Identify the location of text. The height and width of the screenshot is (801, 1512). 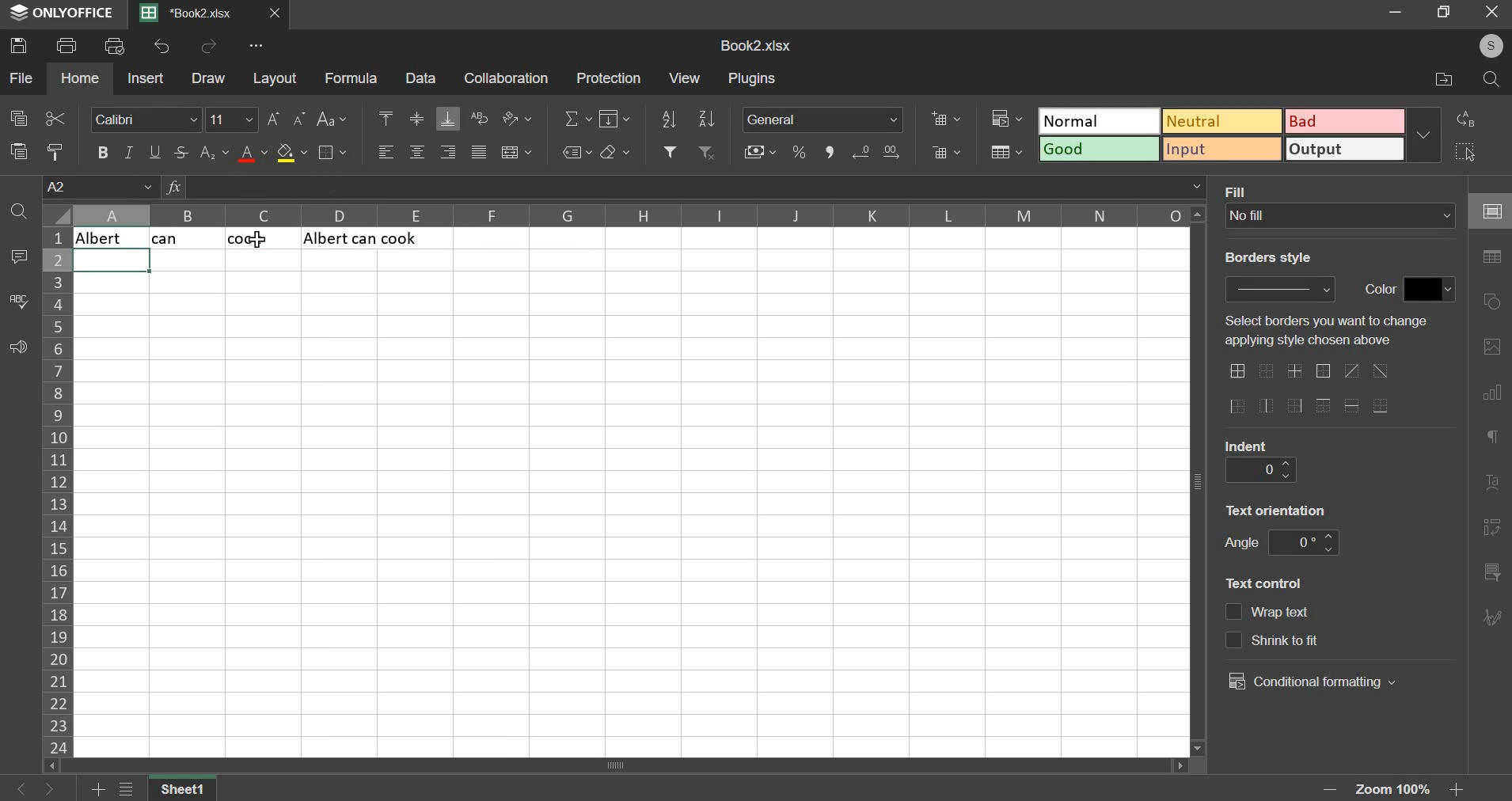
(1278, 509).